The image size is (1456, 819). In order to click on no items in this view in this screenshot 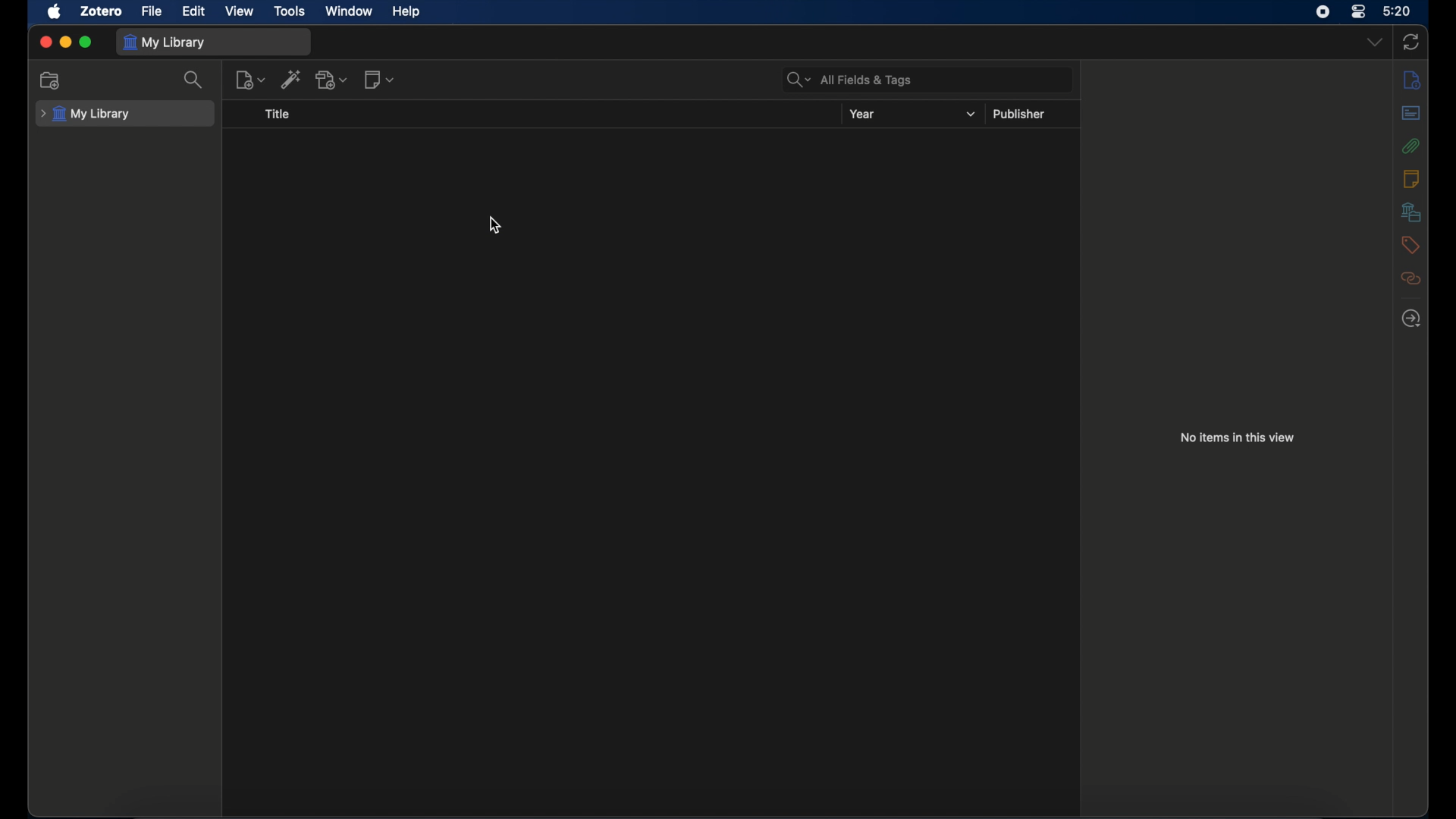, I will do `click(1236, 437)`.